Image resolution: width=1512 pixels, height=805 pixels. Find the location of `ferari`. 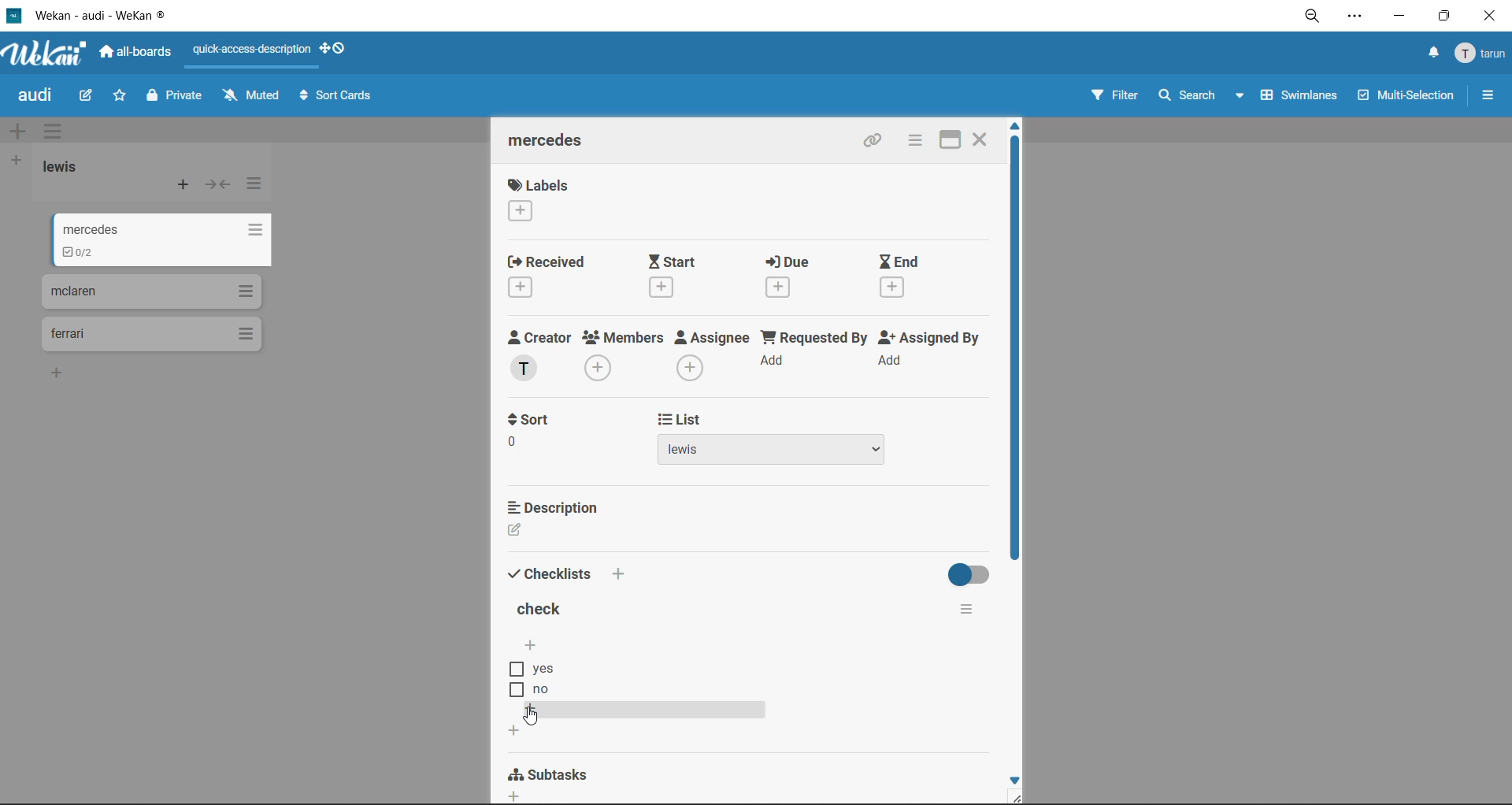

ferari is located at coordinates (69, 335).